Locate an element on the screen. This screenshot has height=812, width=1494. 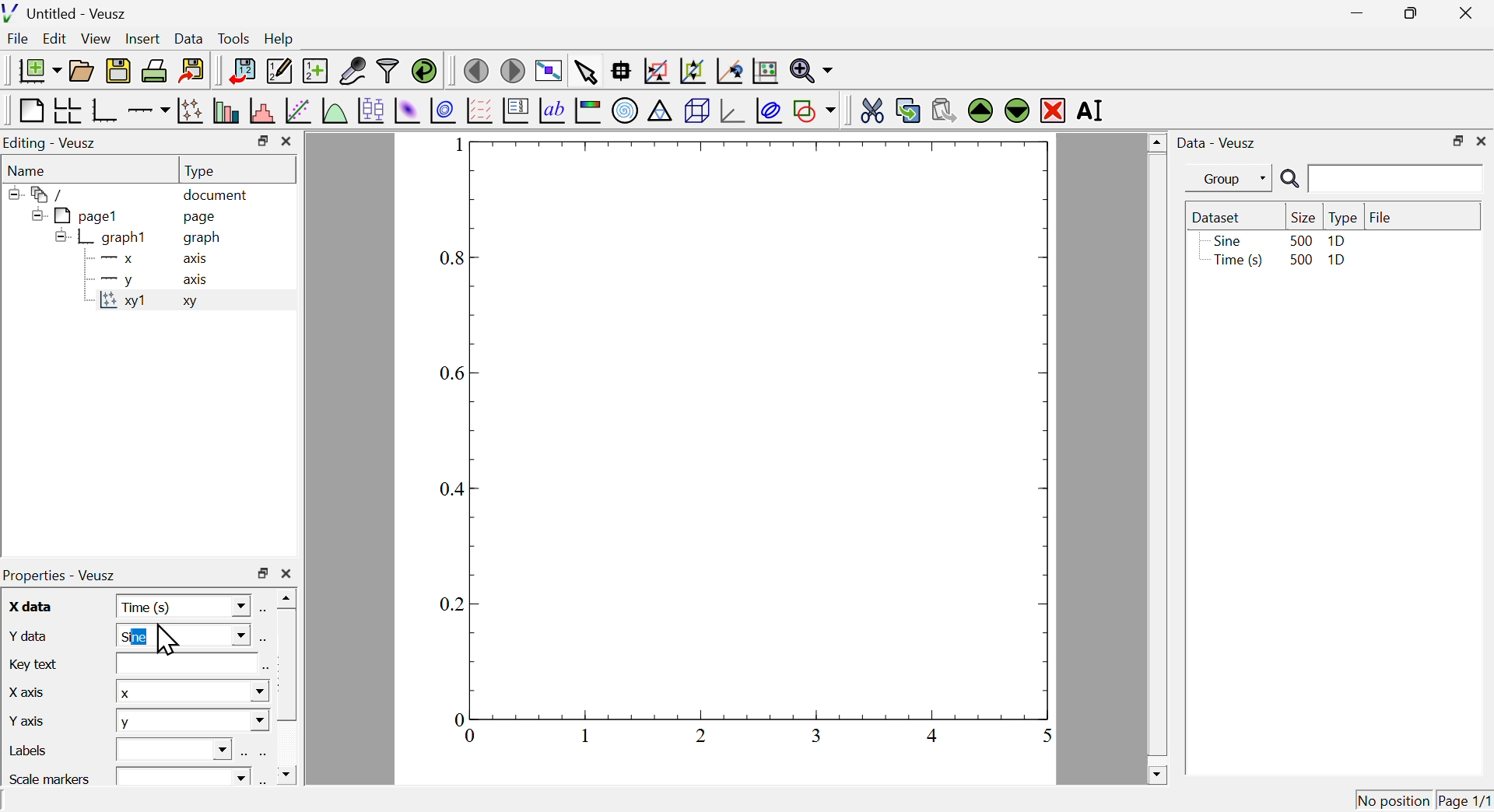
text label is located at coordinates (552, 113).